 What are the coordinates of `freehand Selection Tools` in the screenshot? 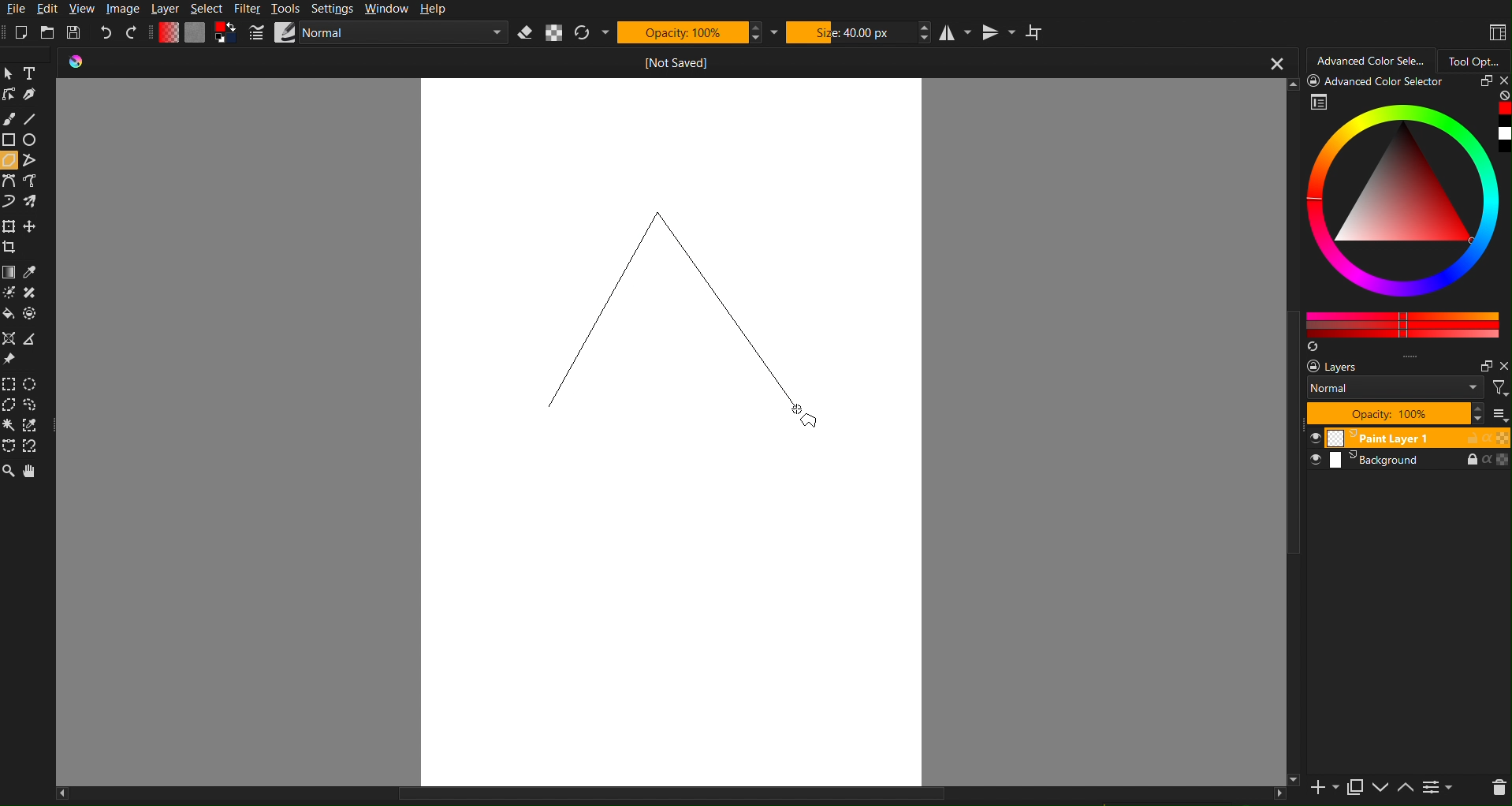 It's located at (32, 405).